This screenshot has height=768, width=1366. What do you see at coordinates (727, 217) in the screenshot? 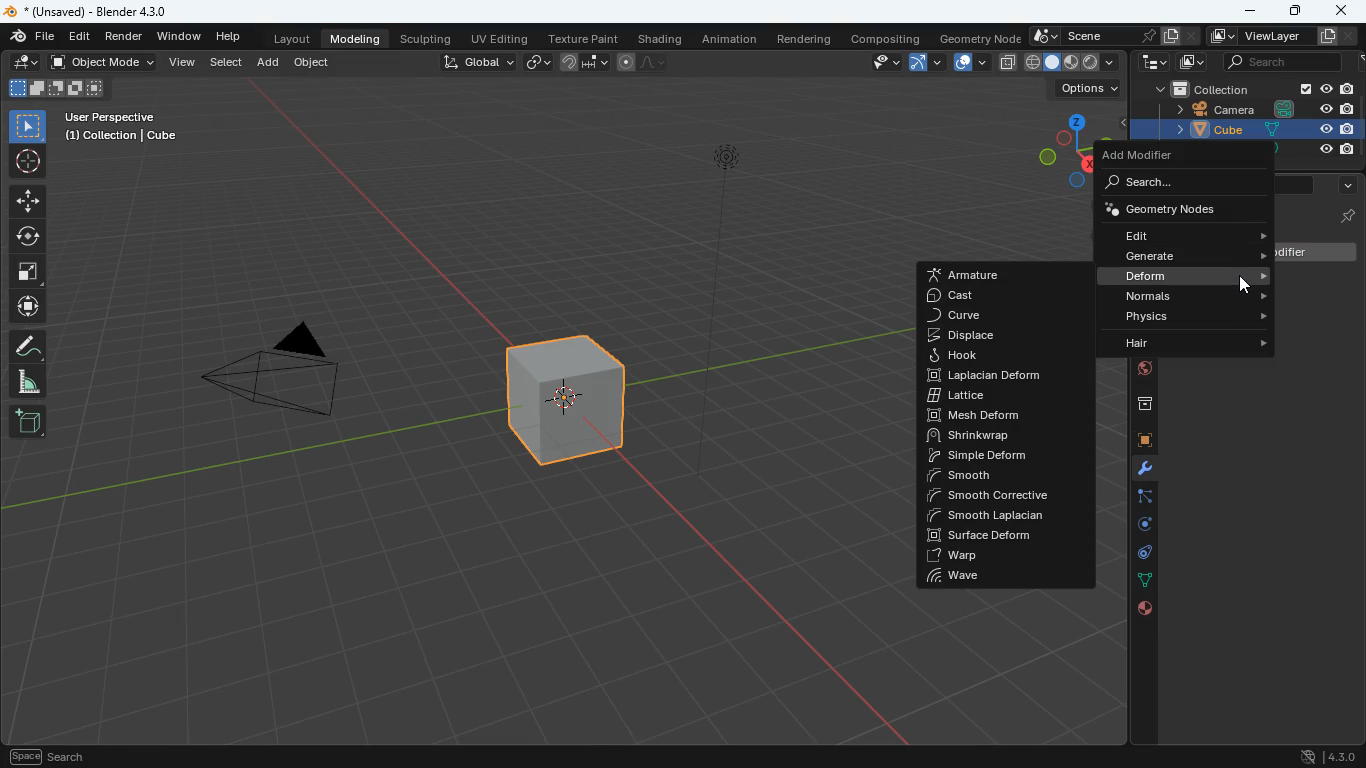
I see `light` at bounding box center [727, 217].